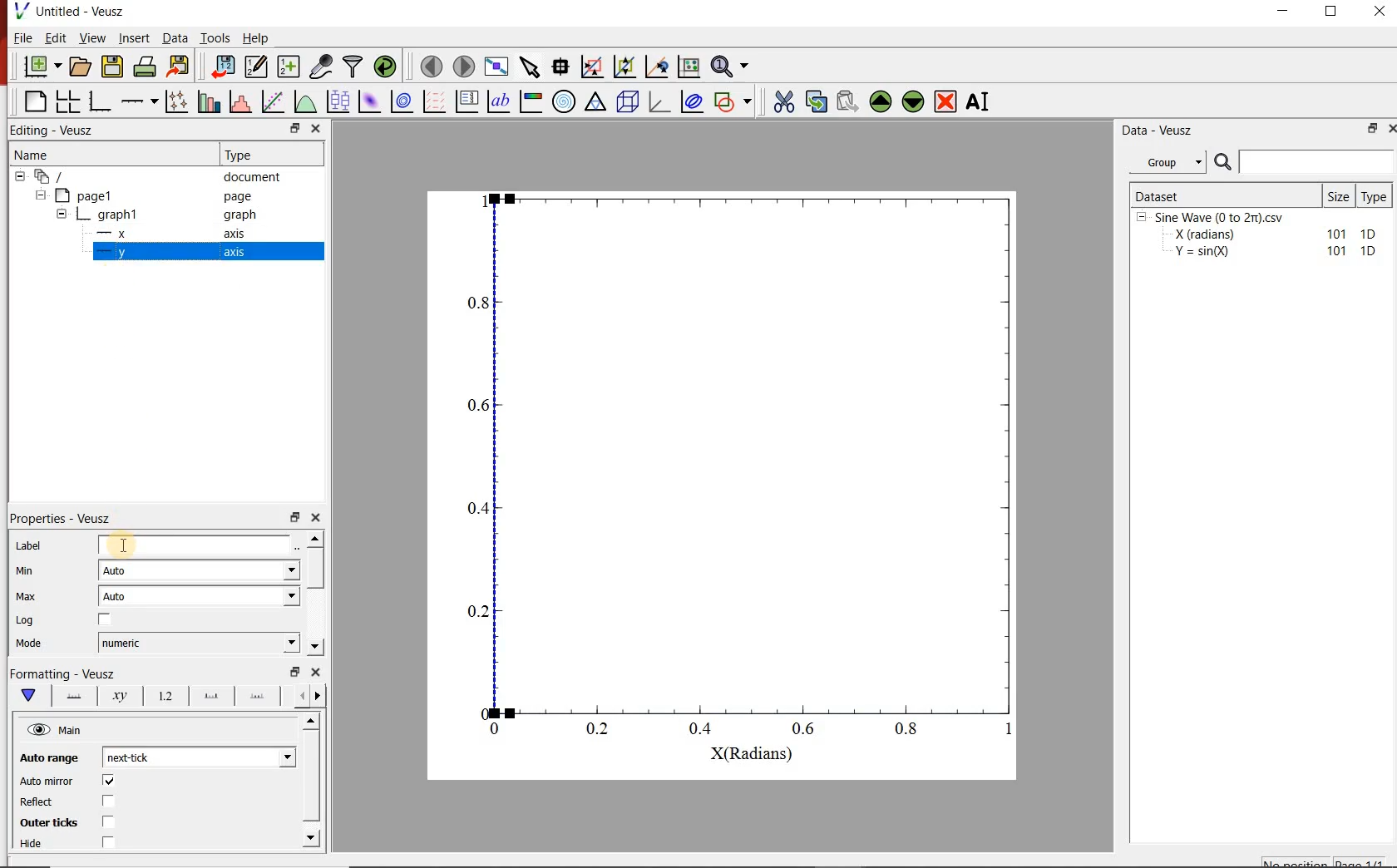  I want to click on Auto range, so click(47, 756).